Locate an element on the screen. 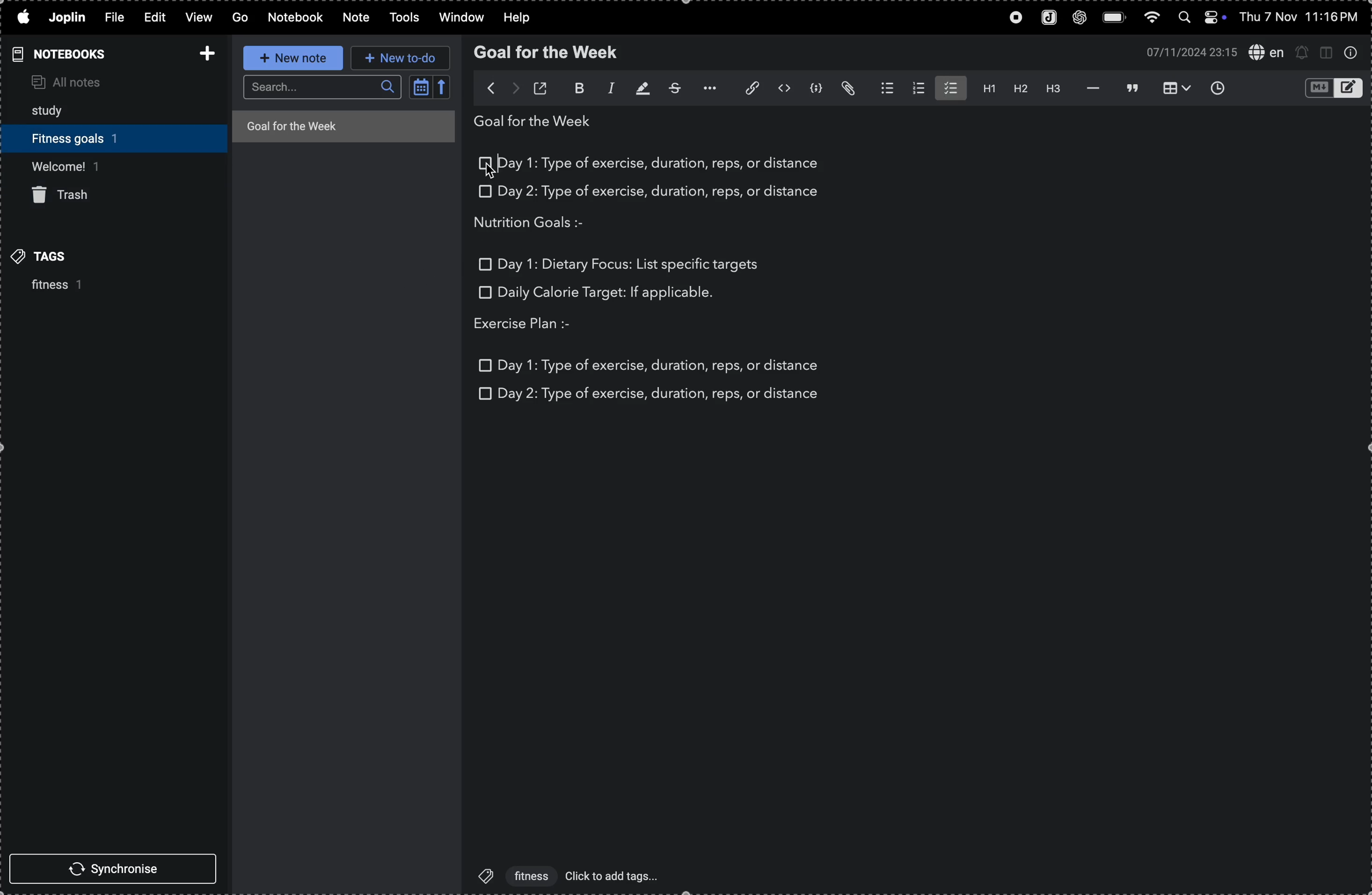  'fitness' click to add tags is located at coordinates (564, 875).